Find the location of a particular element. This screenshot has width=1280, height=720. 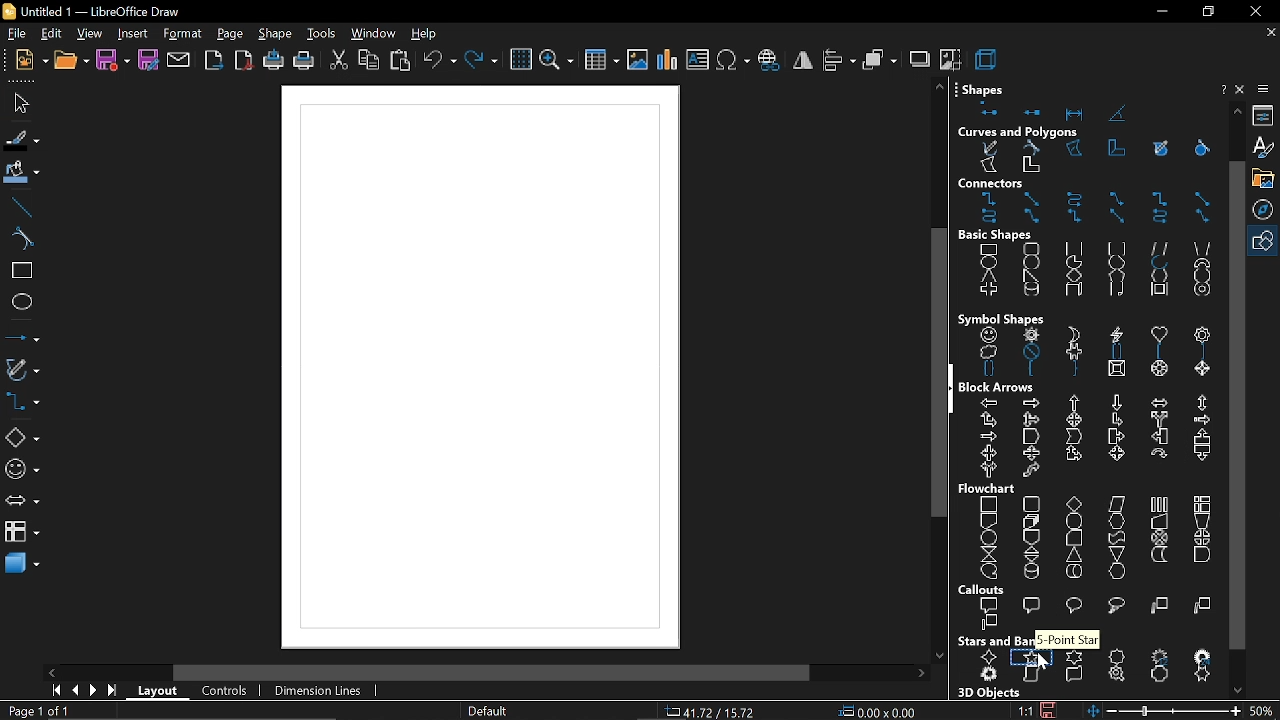

symbol shapes is located at coordinates (1090, 351).